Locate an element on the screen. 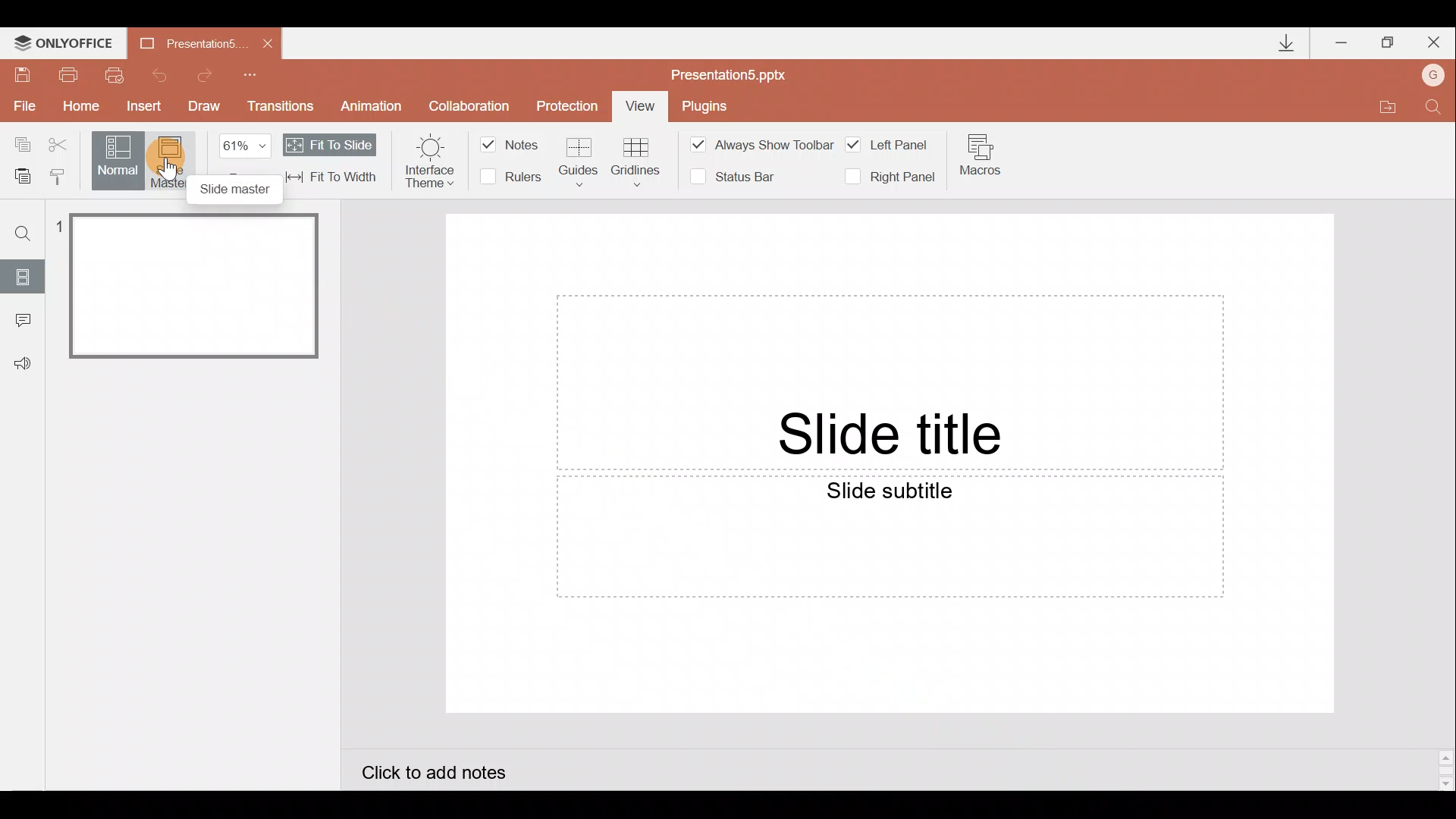 This screenshot has width=1456, height=819. Customize quick access toolbar is located at coordinates (260, 74).